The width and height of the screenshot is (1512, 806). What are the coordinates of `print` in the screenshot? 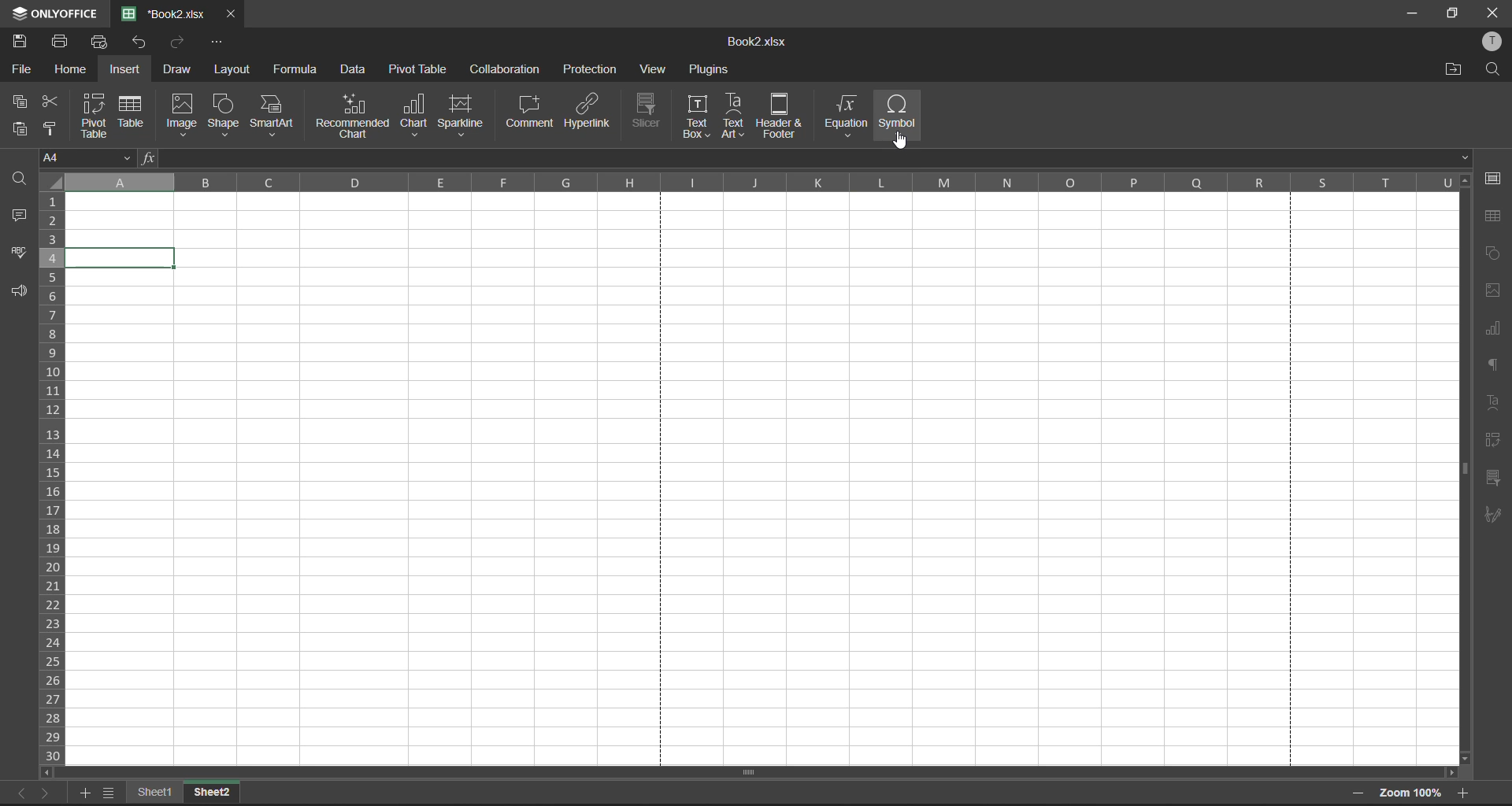 It's located at (60, 39).